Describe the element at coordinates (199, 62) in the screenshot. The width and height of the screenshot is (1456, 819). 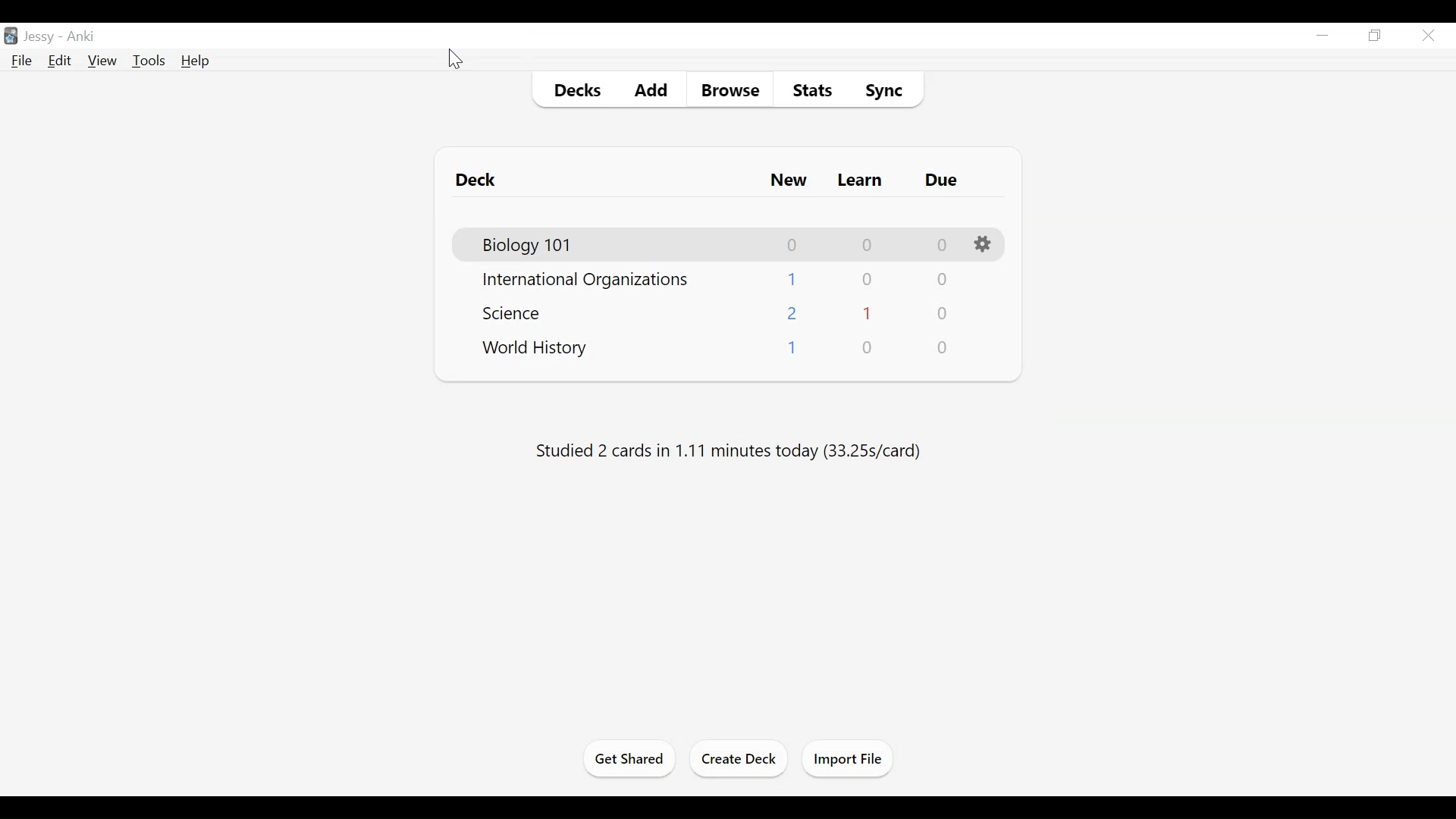
I see `Help` at that location.